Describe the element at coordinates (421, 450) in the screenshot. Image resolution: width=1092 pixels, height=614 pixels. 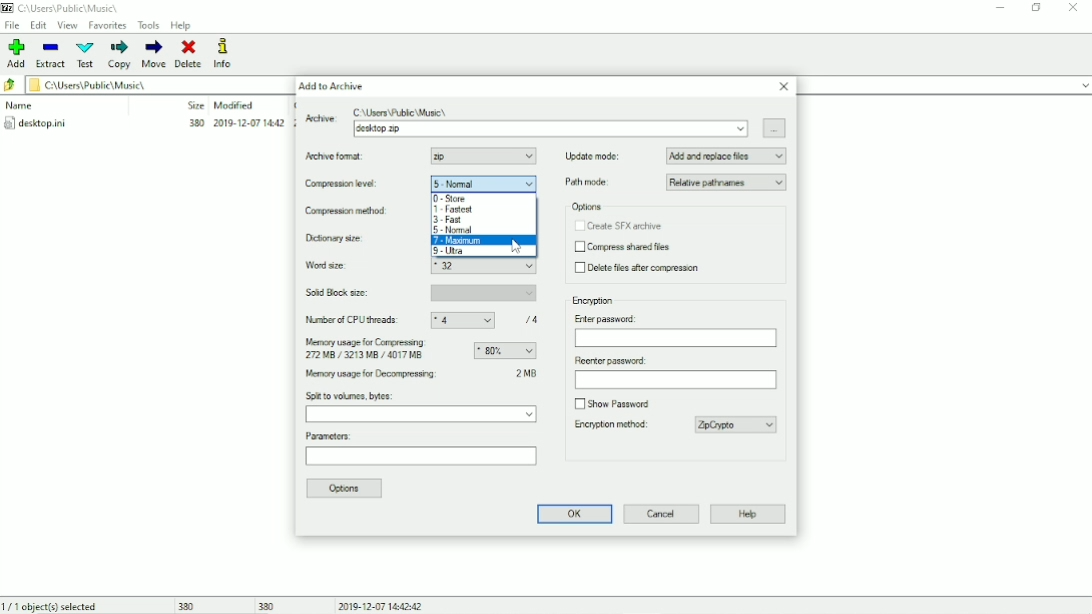
I see `Parameters` at that location.